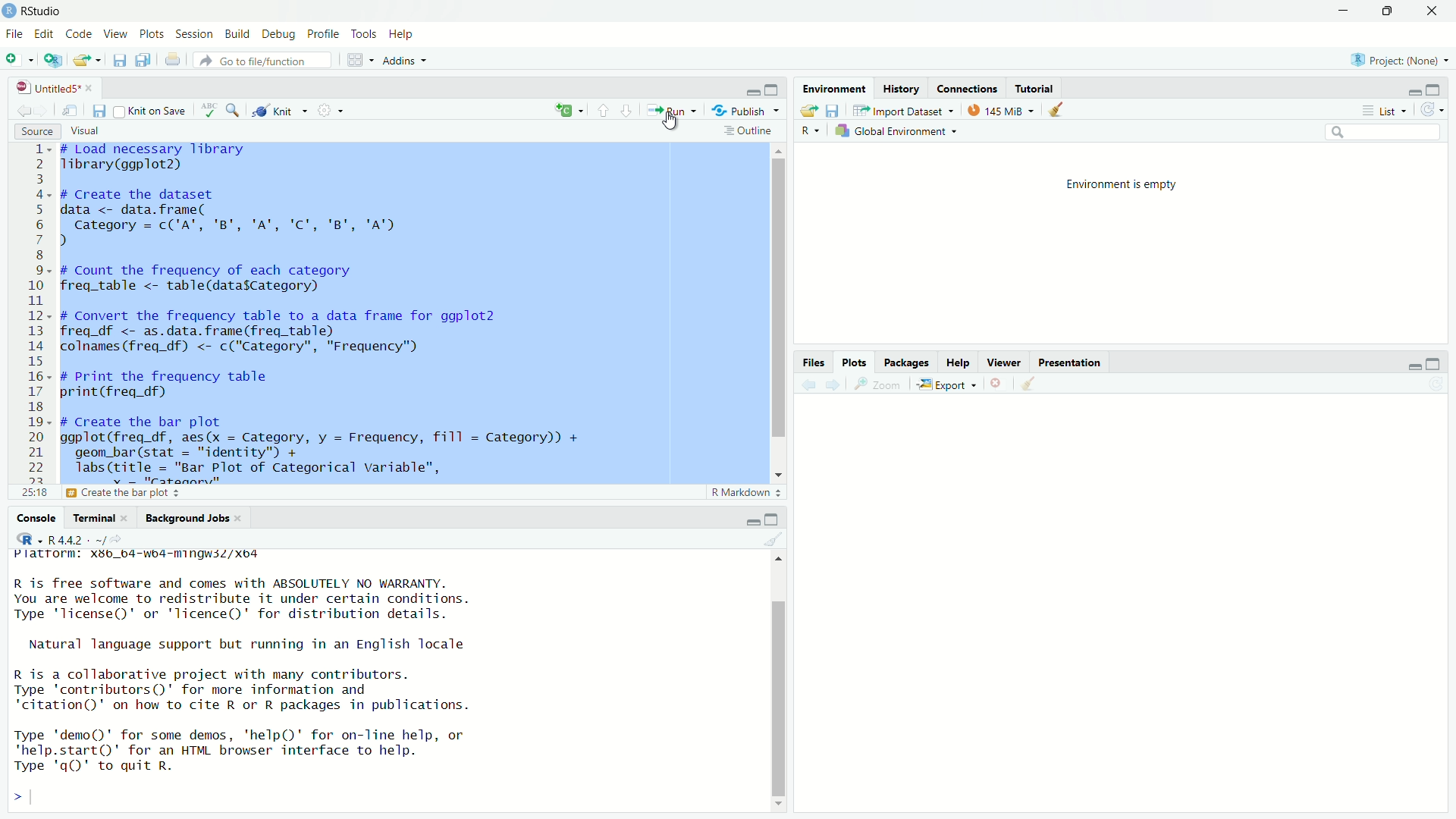  I want to click on sessions, so click(193, 34).